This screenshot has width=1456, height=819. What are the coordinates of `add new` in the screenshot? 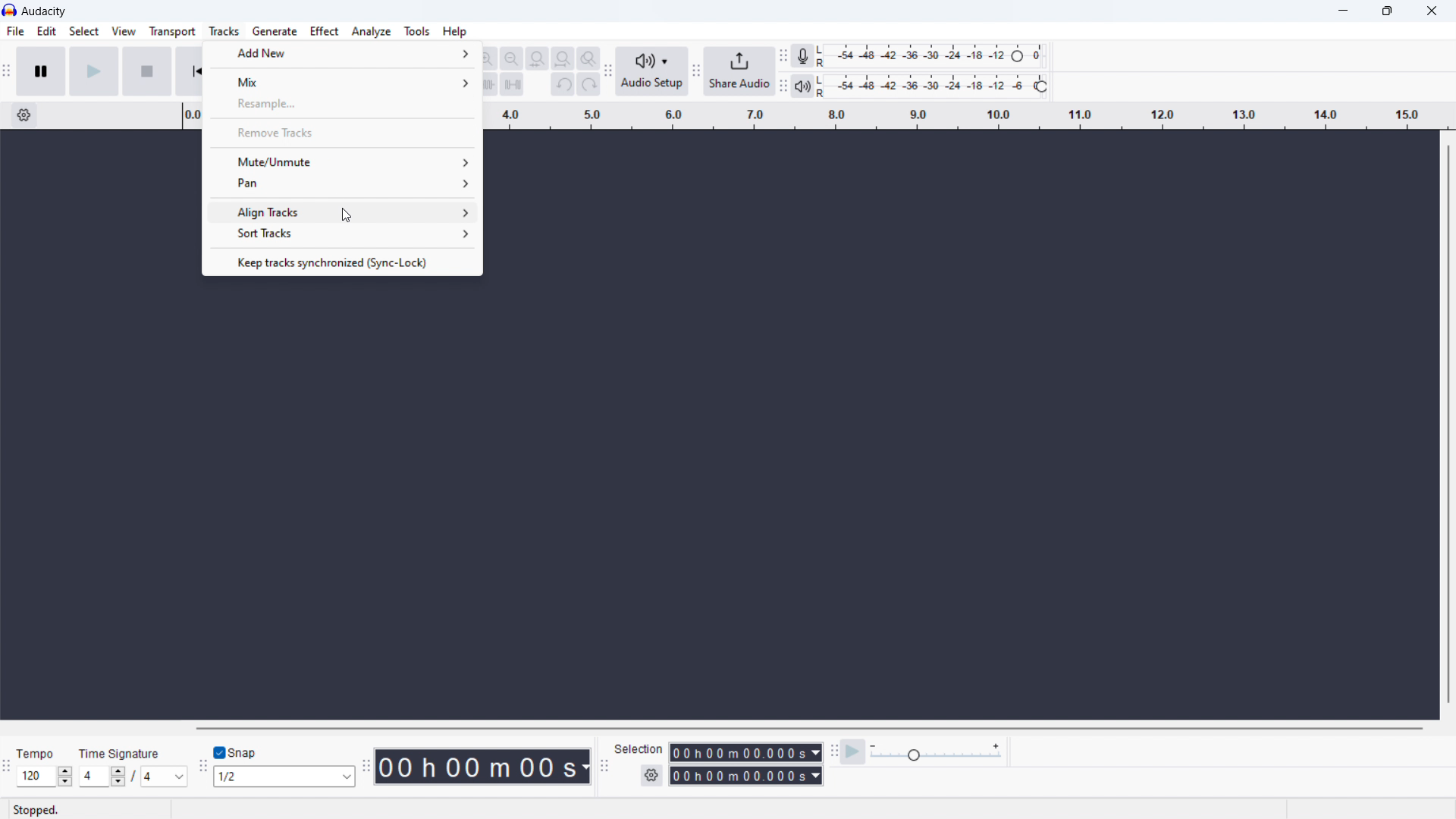 It's located at (341, 54).